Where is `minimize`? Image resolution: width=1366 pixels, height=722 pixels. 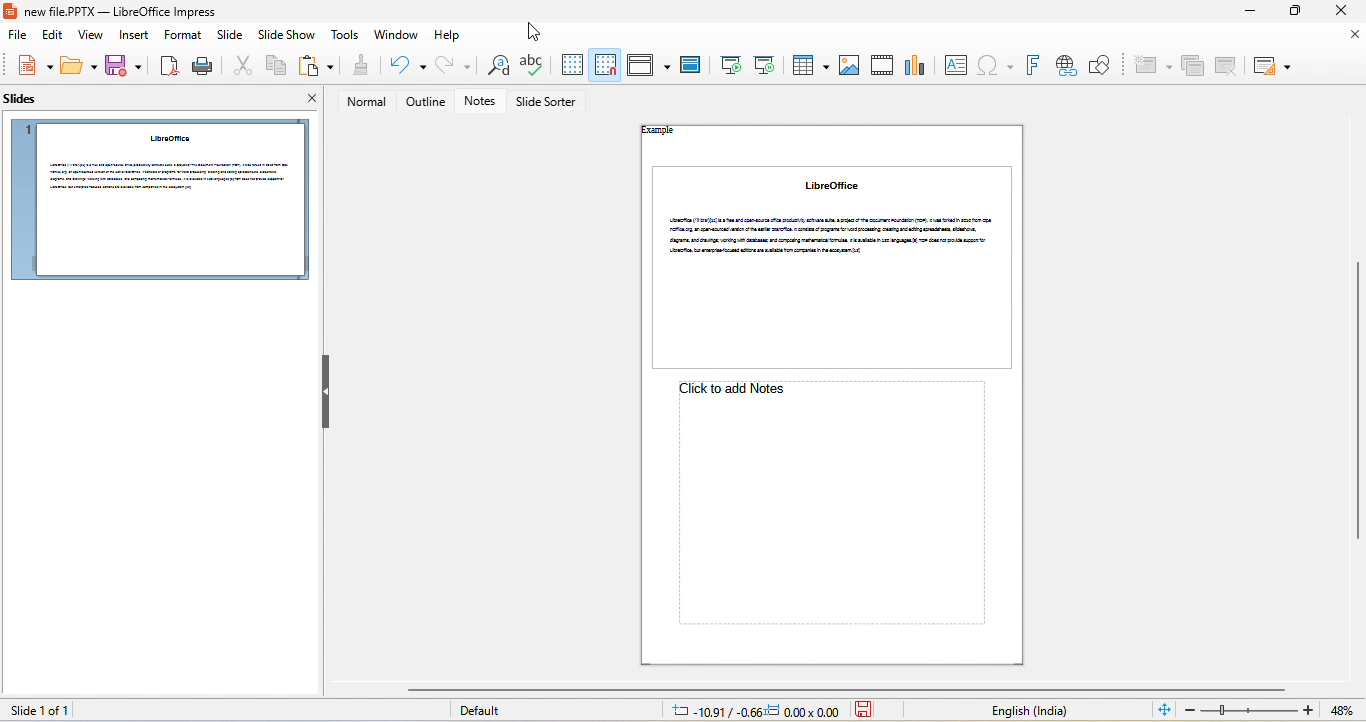 minimize is located at coordinates (1246, 13).